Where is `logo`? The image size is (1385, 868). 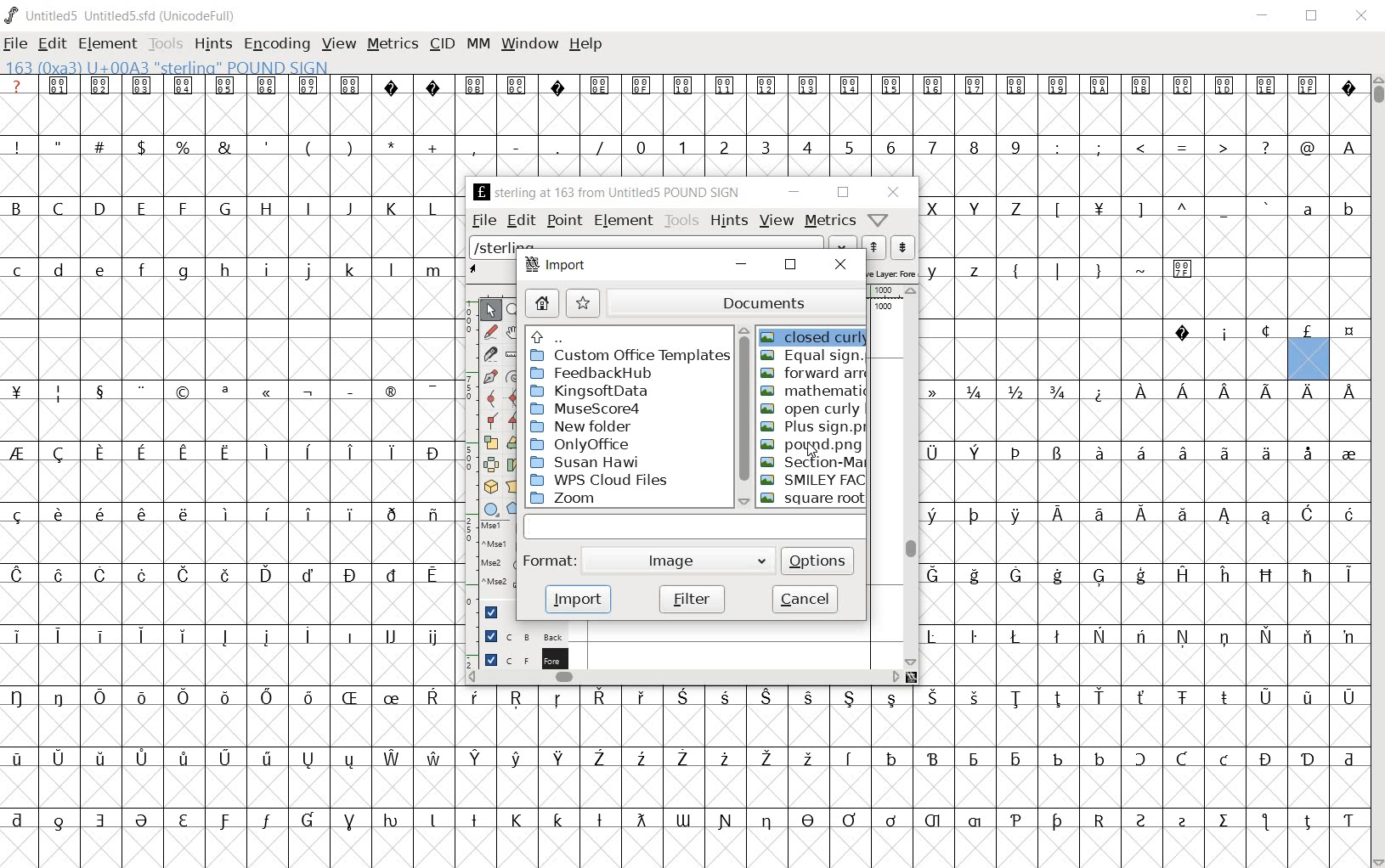
logo is located at coordinates (12, 14).